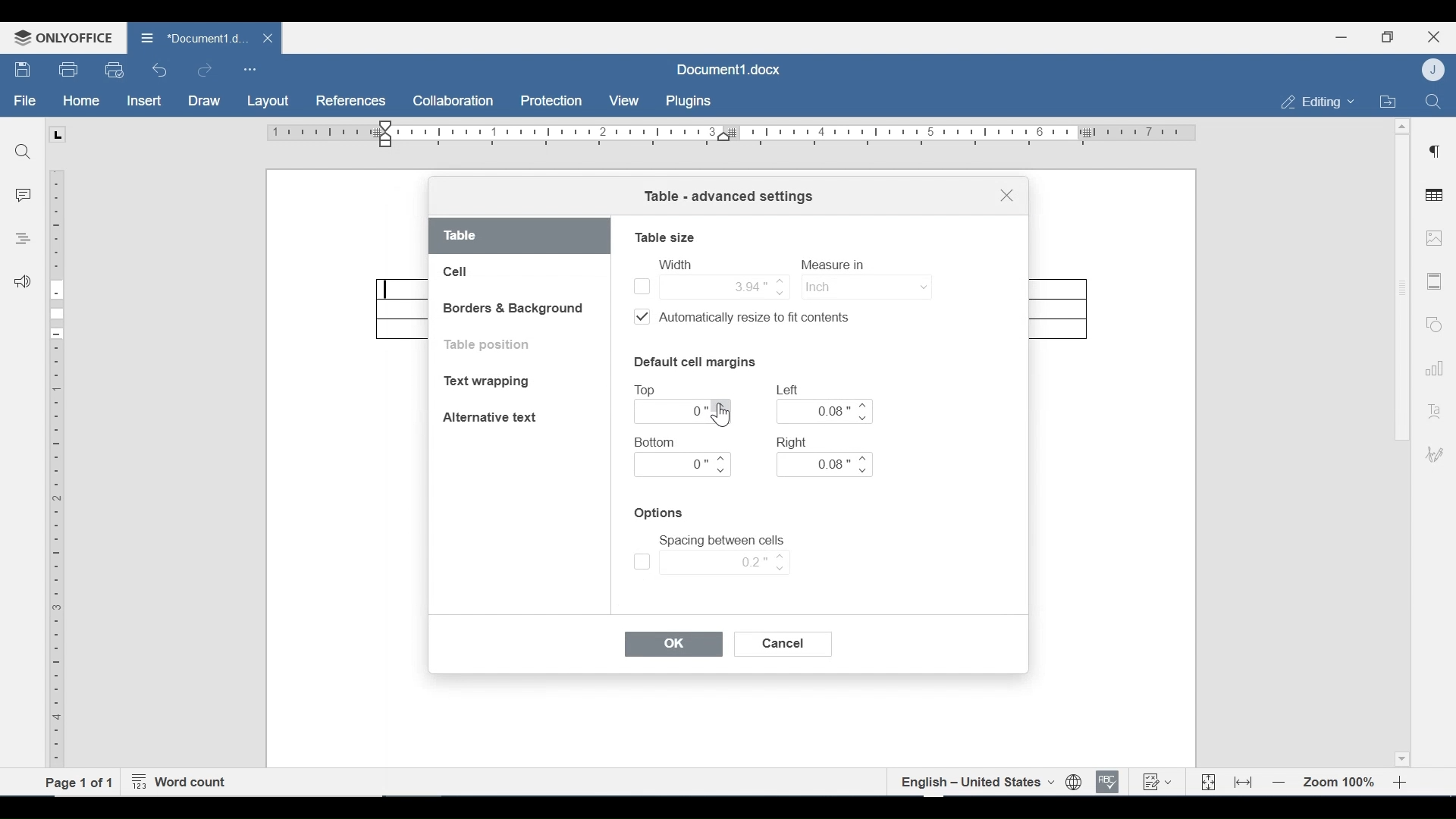  I want to click on Table size, so click(665, 237).